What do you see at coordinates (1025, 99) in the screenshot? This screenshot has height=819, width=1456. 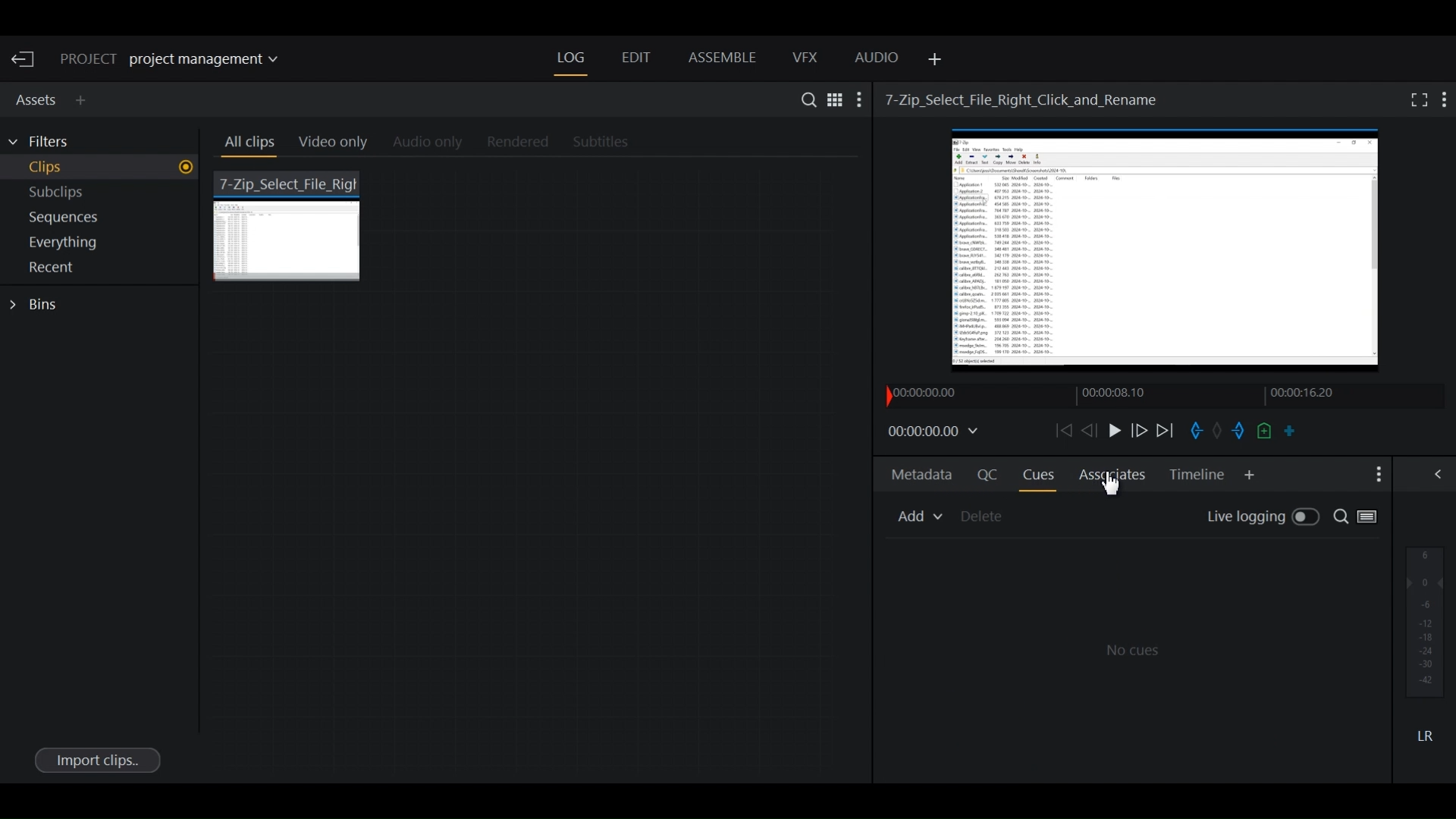 I see `Video Name` at bounding box center [1025, 99].